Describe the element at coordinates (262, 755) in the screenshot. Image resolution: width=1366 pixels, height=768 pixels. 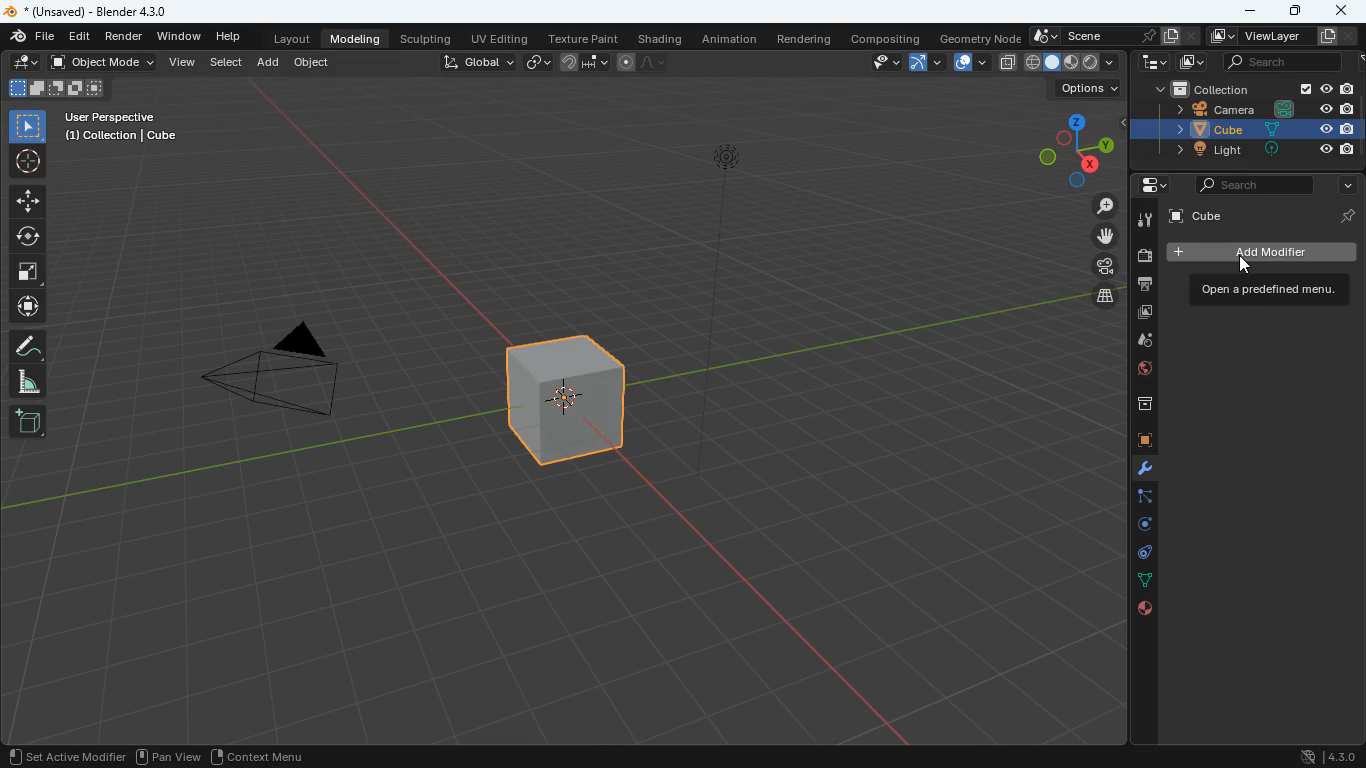
I see `menu` at that location.